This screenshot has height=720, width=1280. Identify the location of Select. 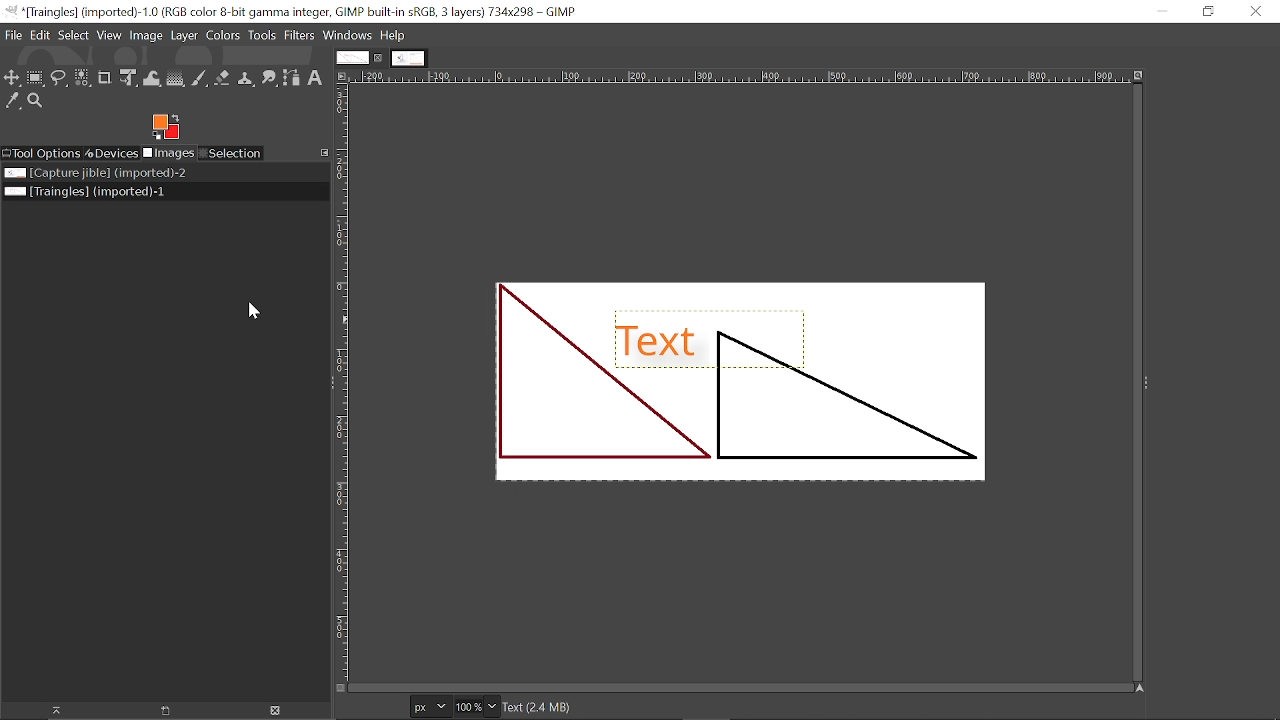
(73, 36).